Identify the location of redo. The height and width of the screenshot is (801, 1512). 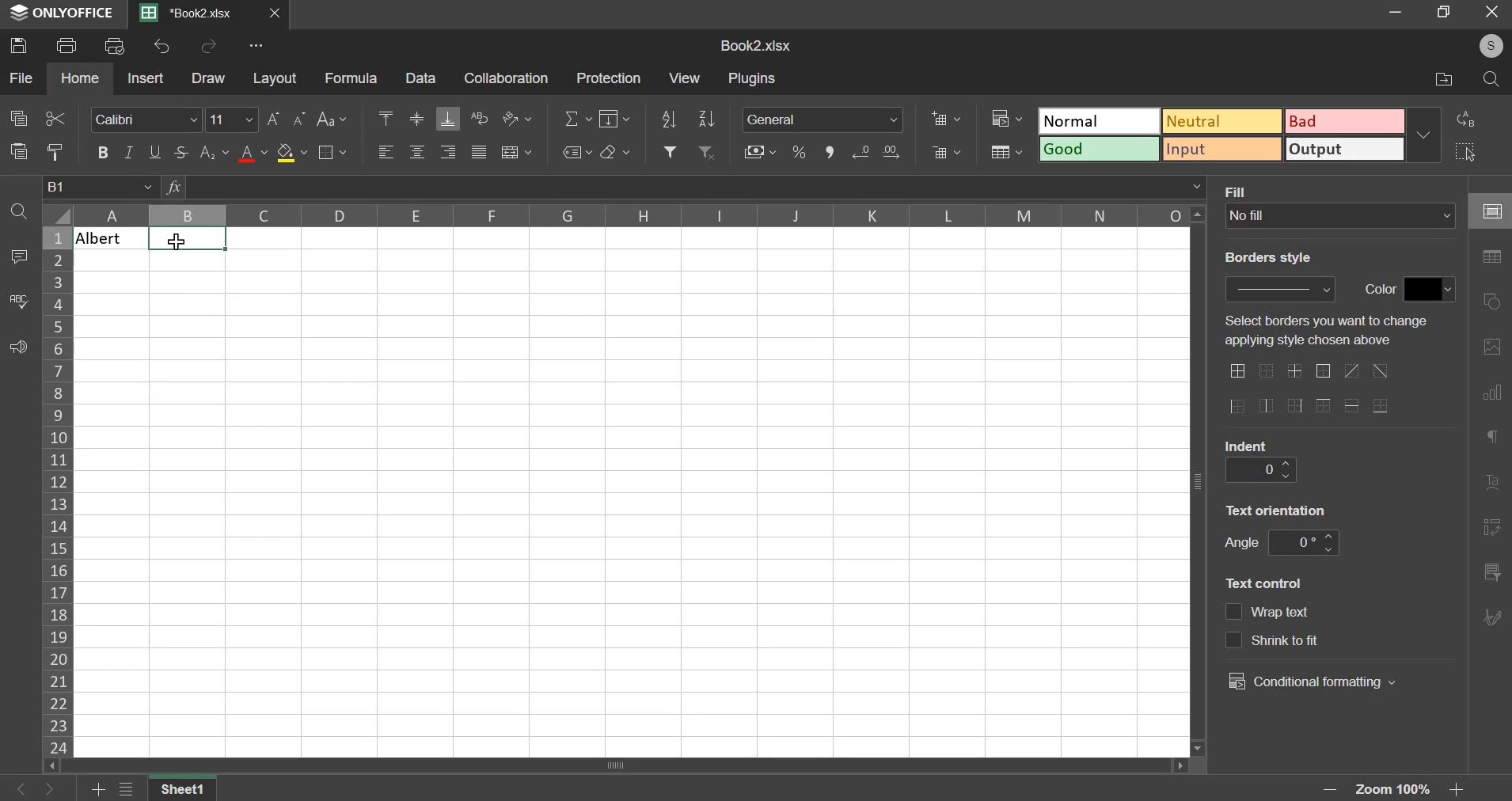
(211, 46).